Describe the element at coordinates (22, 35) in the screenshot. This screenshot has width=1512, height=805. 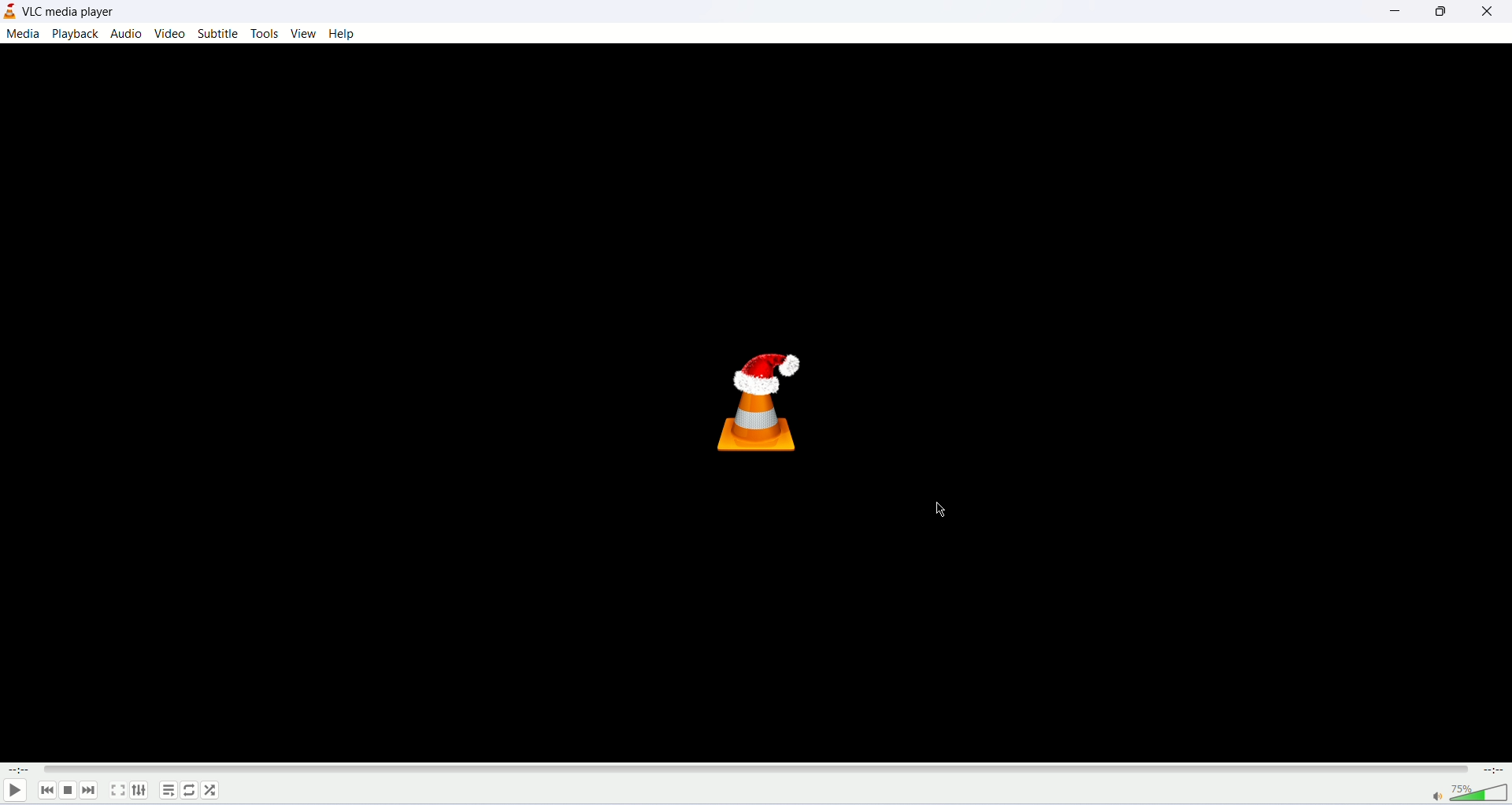
I see `media` at that location.